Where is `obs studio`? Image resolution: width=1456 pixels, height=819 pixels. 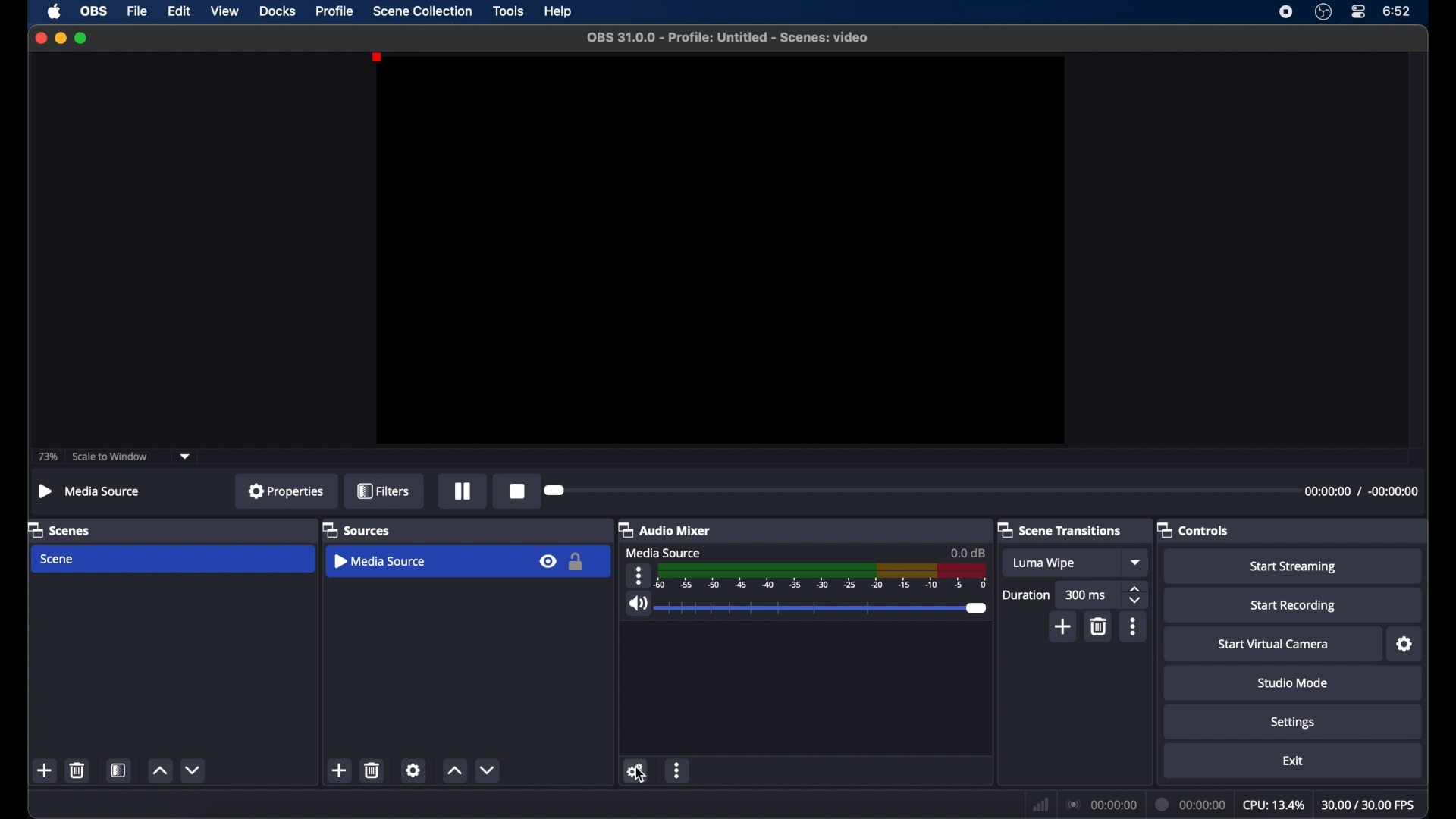 obs studio is located at coordinates (1323, 11).